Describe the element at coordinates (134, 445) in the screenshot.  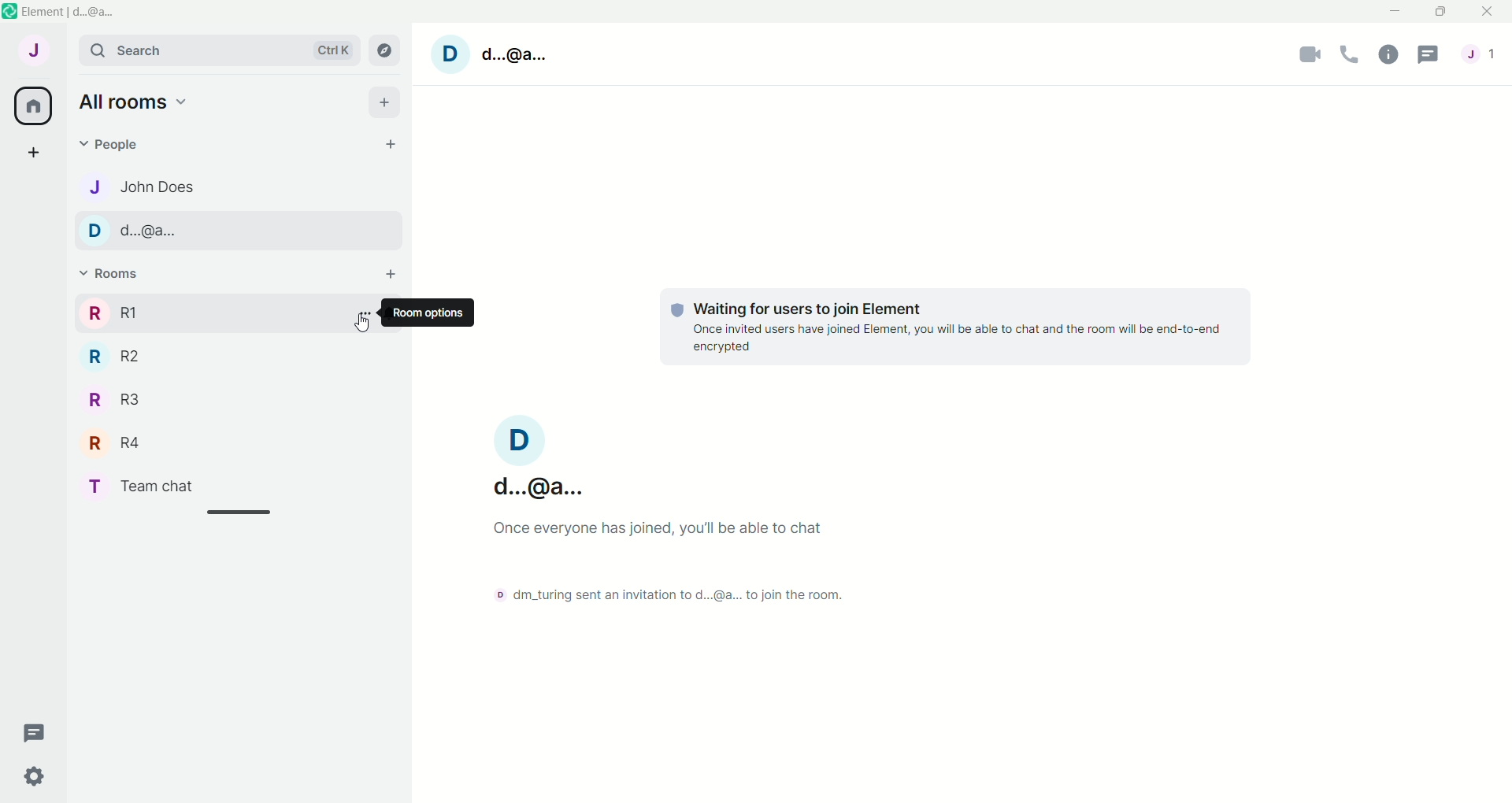
I see `R R4` at that location.